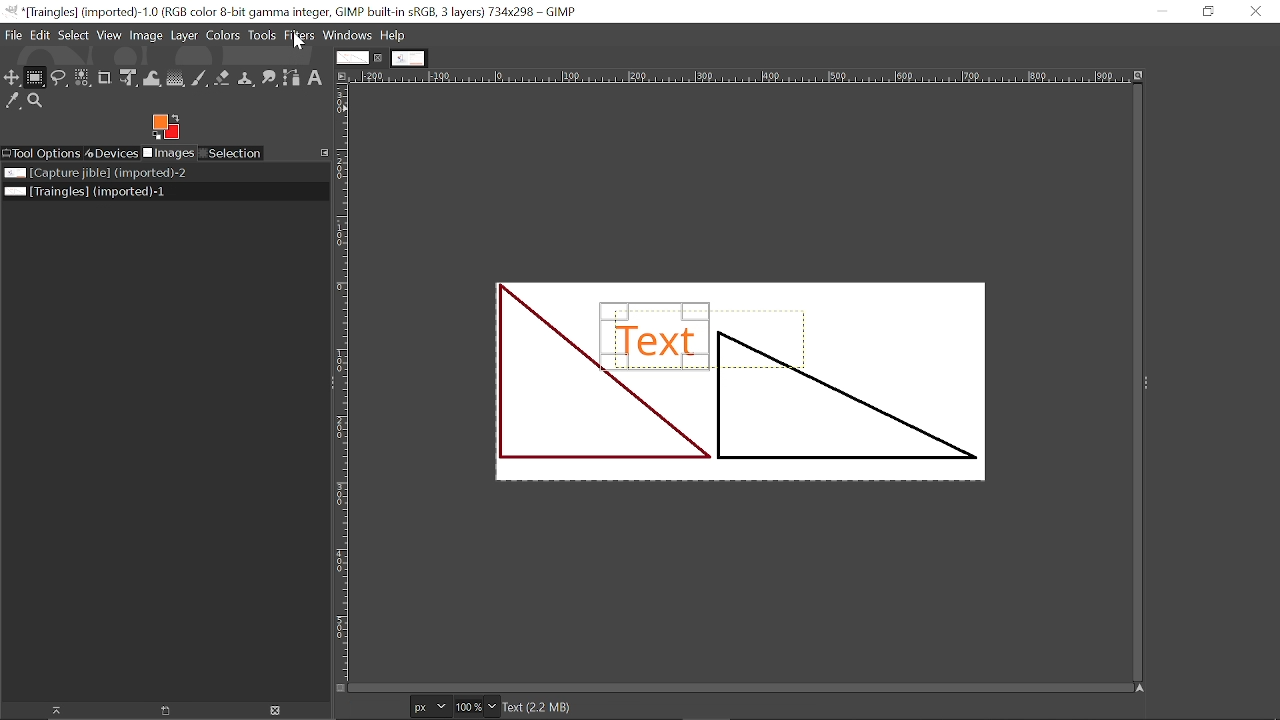  What do you see at coordinates (738, 380) in the screenshot?
I see `Selected text` at bounding box center [738, 380].